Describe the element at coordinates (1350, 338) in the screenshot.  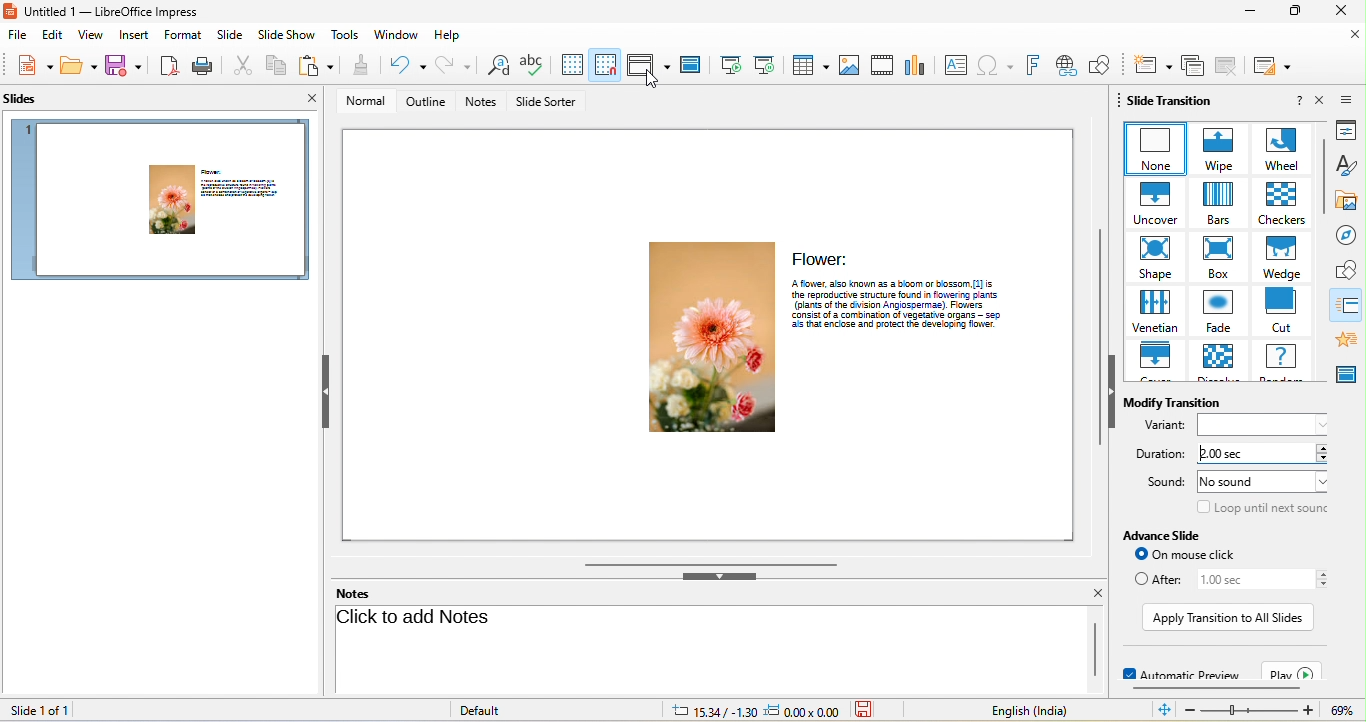
I see `animation` at that location.